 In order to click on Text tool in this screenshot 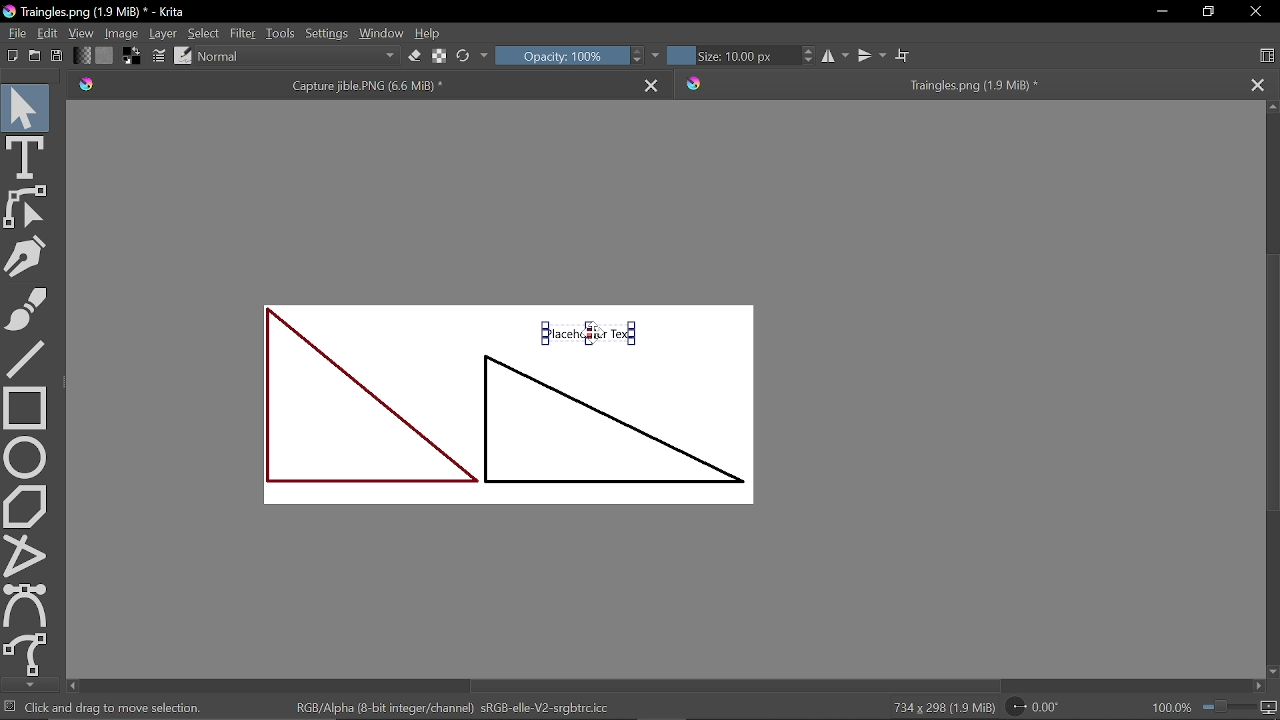, I will do `click(26, 156)`.